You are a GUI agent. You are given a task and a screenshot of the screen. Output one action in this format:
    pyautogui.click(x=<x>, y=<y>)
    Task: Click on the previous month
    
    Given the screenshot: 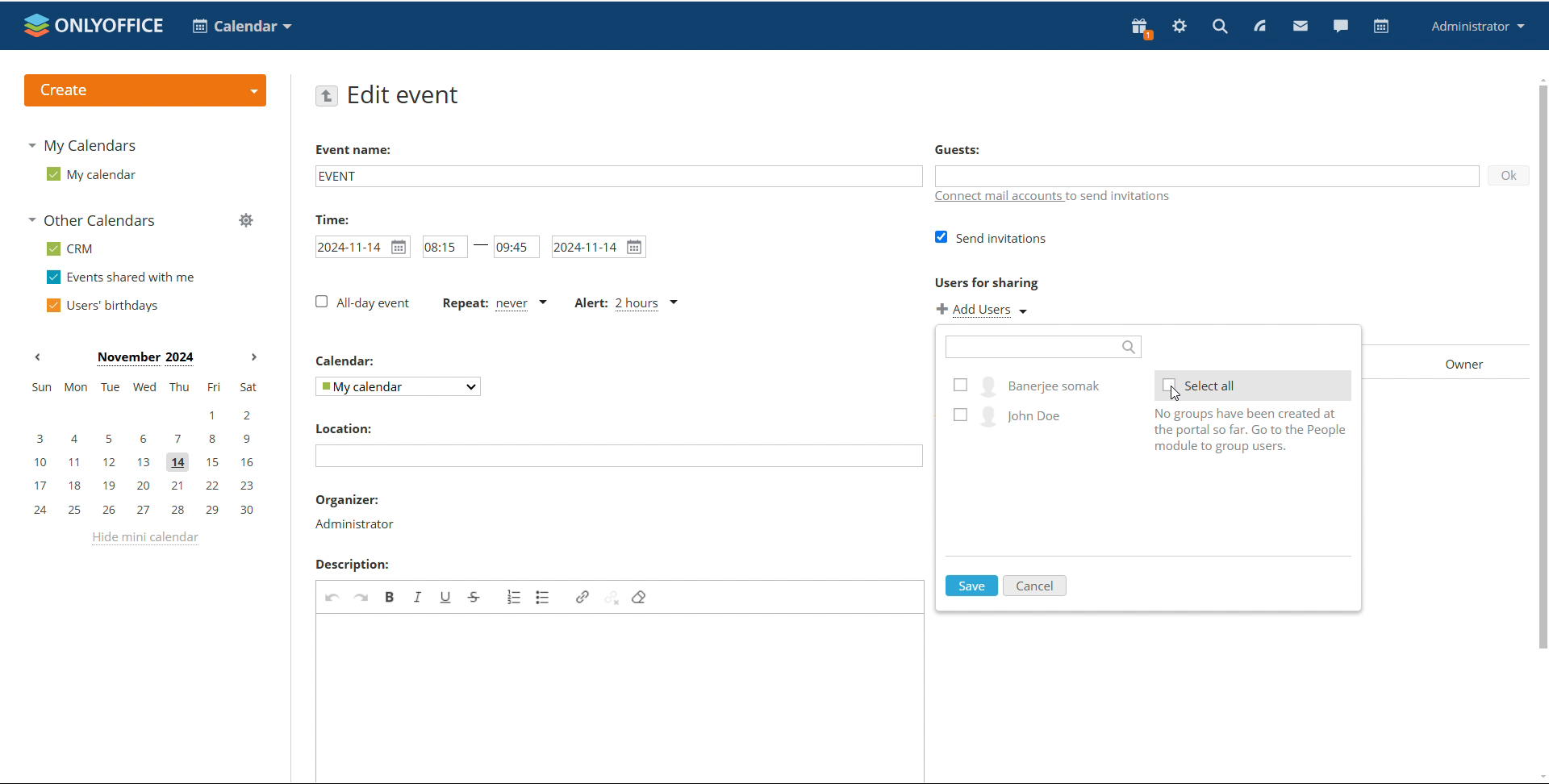 What is the action you would take?
    pyautogui.click(x=37, y=357)
    